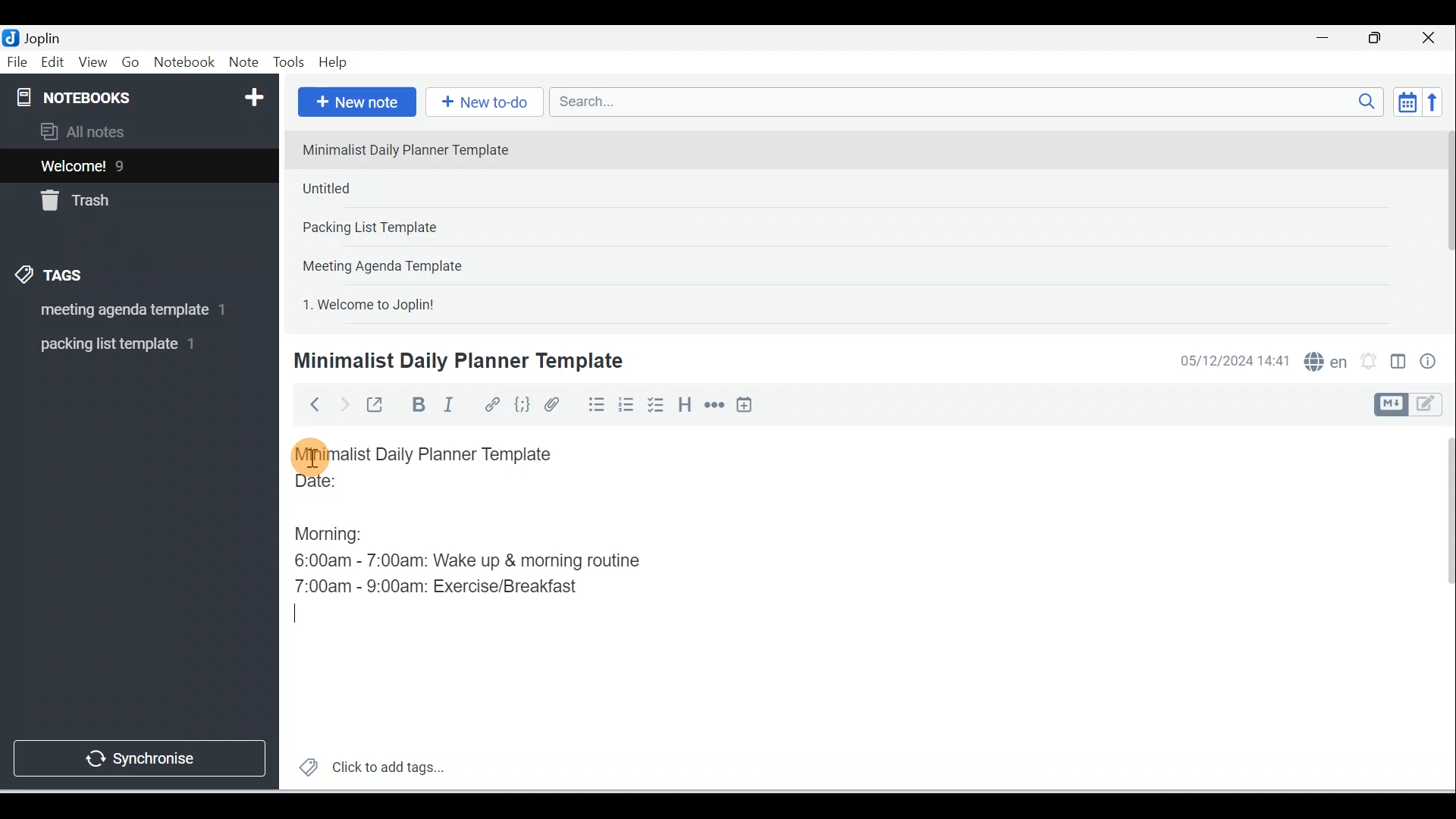 The width and height of the screenshot is (1456, 819). What do you see at coordinates (654, 405) in the screenshot?
I see `Checkbox` at bounding box center [654, 405].